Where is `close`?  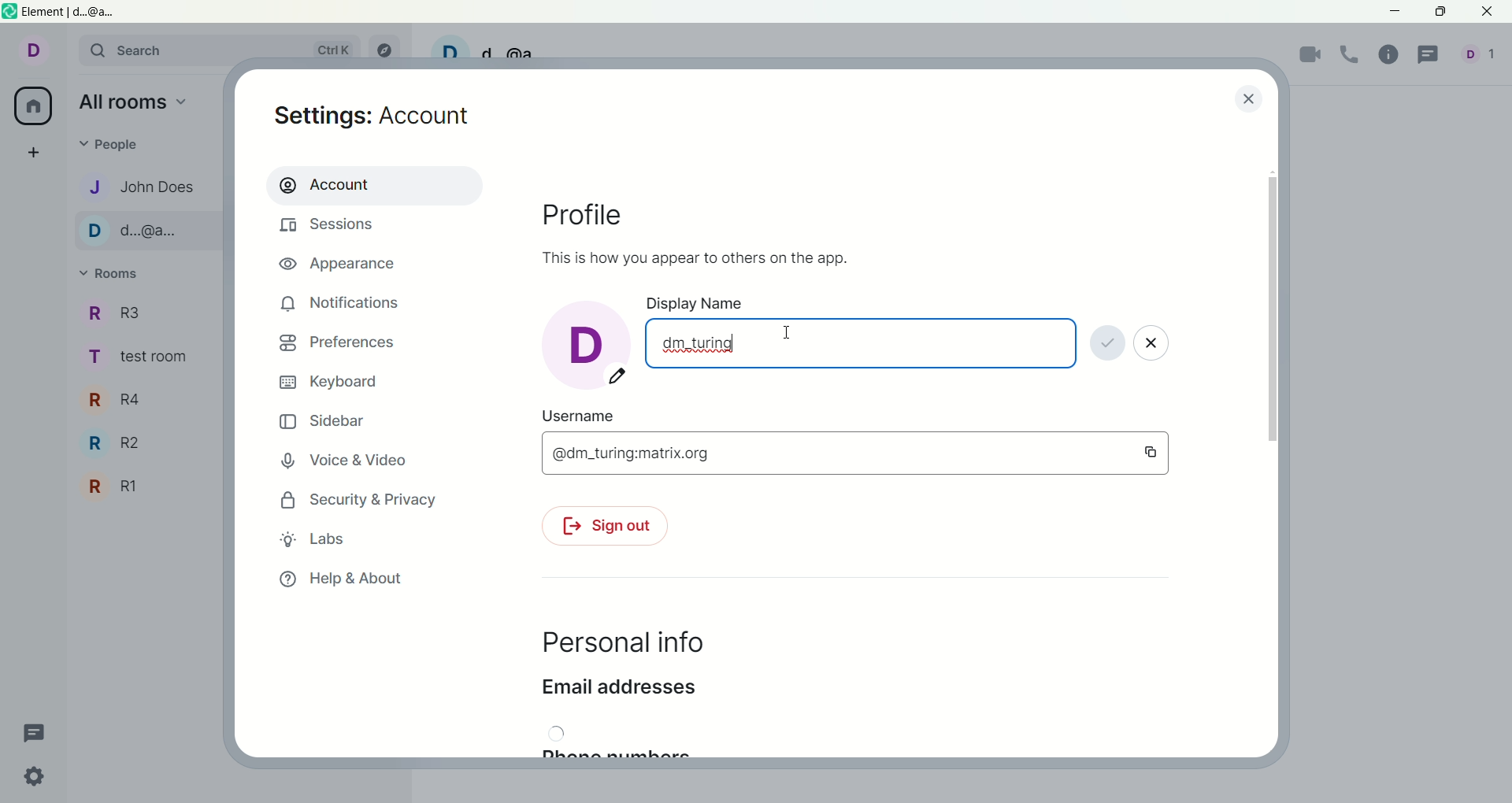
close is located at coordinates (1247, 98).